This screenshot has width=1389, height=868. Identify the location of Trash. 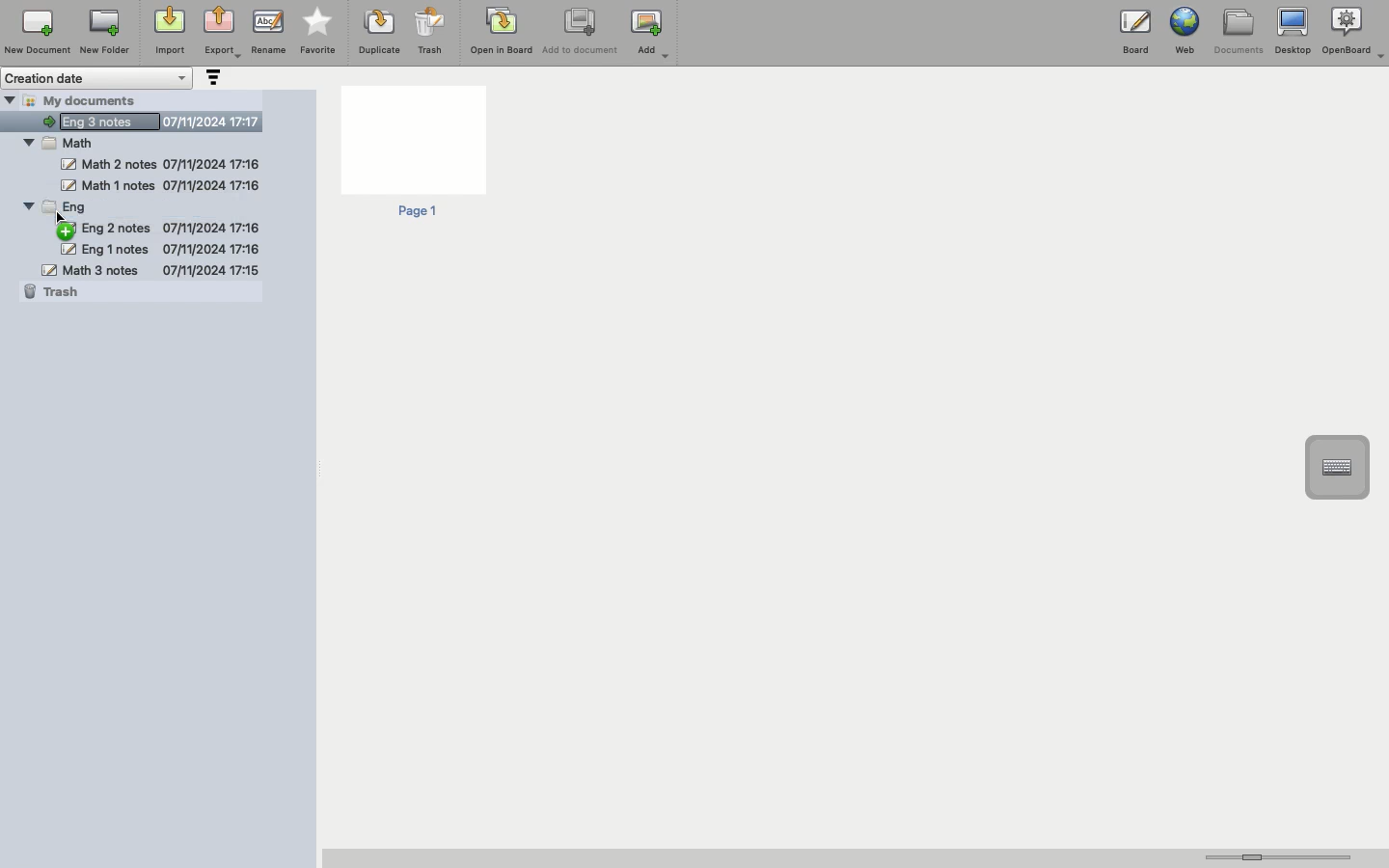
(430, 31).